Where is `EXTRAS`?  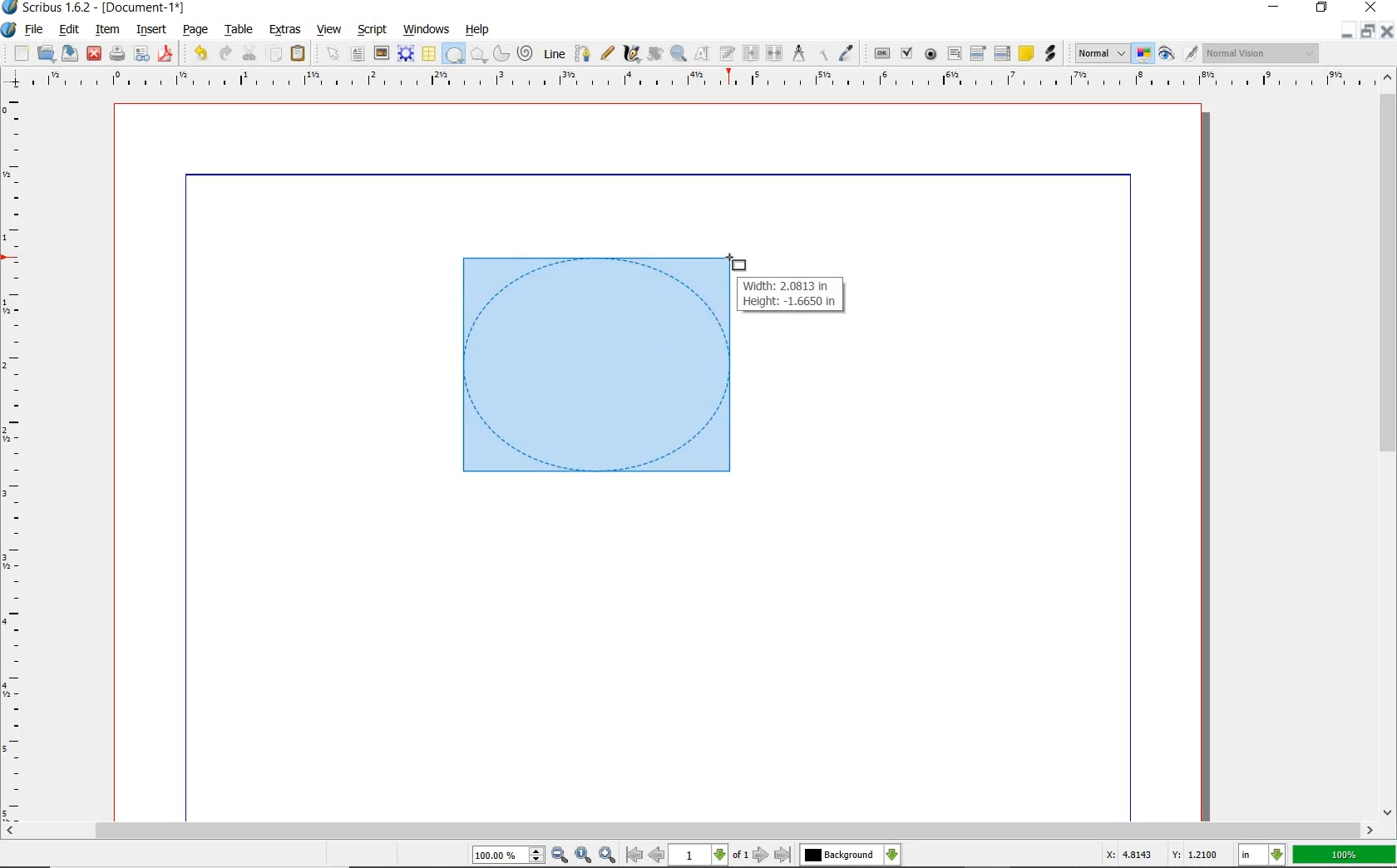 EXTRAS is located at coordinates (285, 30).